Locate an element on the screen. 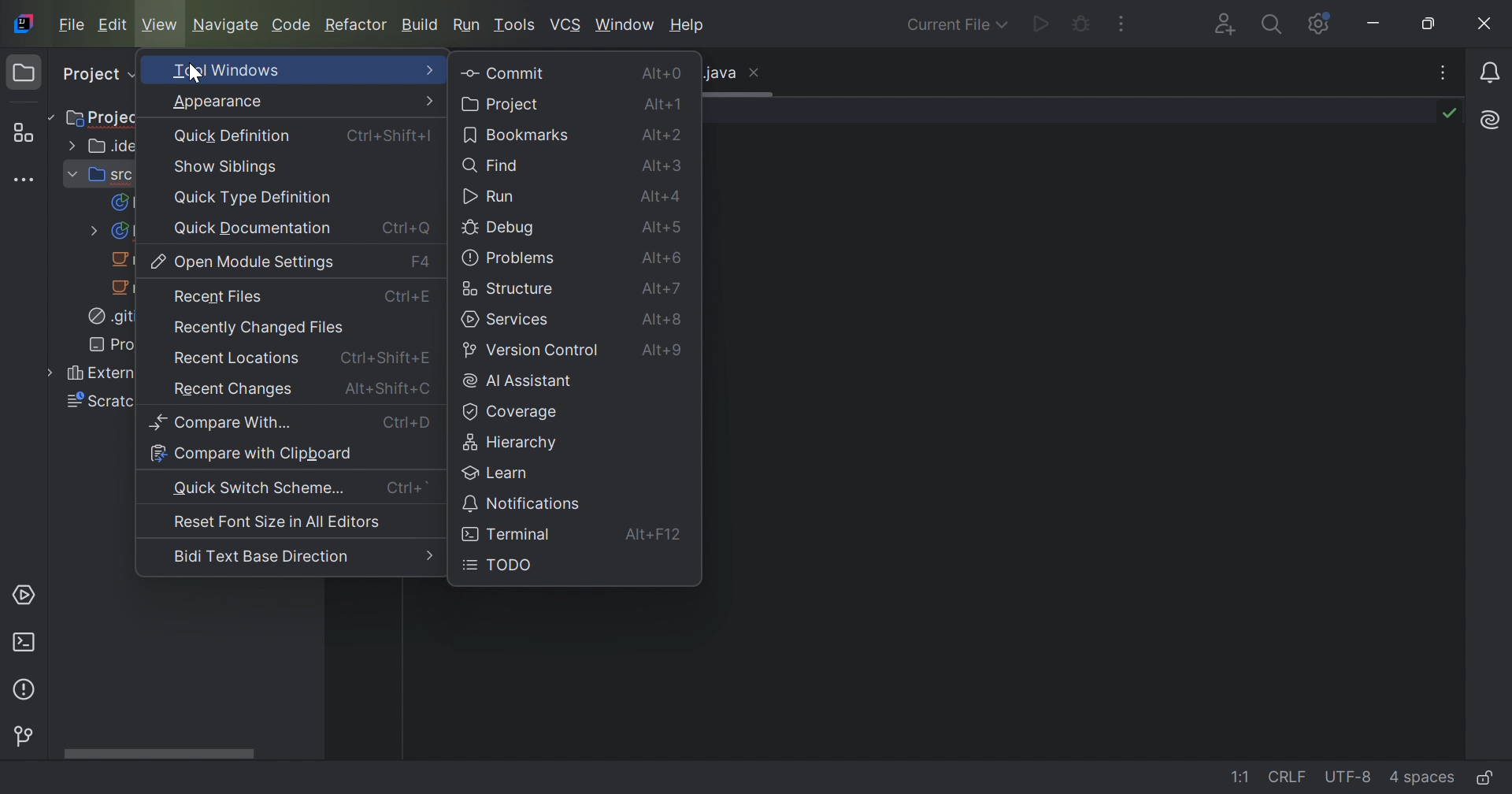  Debug is located at coordinates (1082, 21).